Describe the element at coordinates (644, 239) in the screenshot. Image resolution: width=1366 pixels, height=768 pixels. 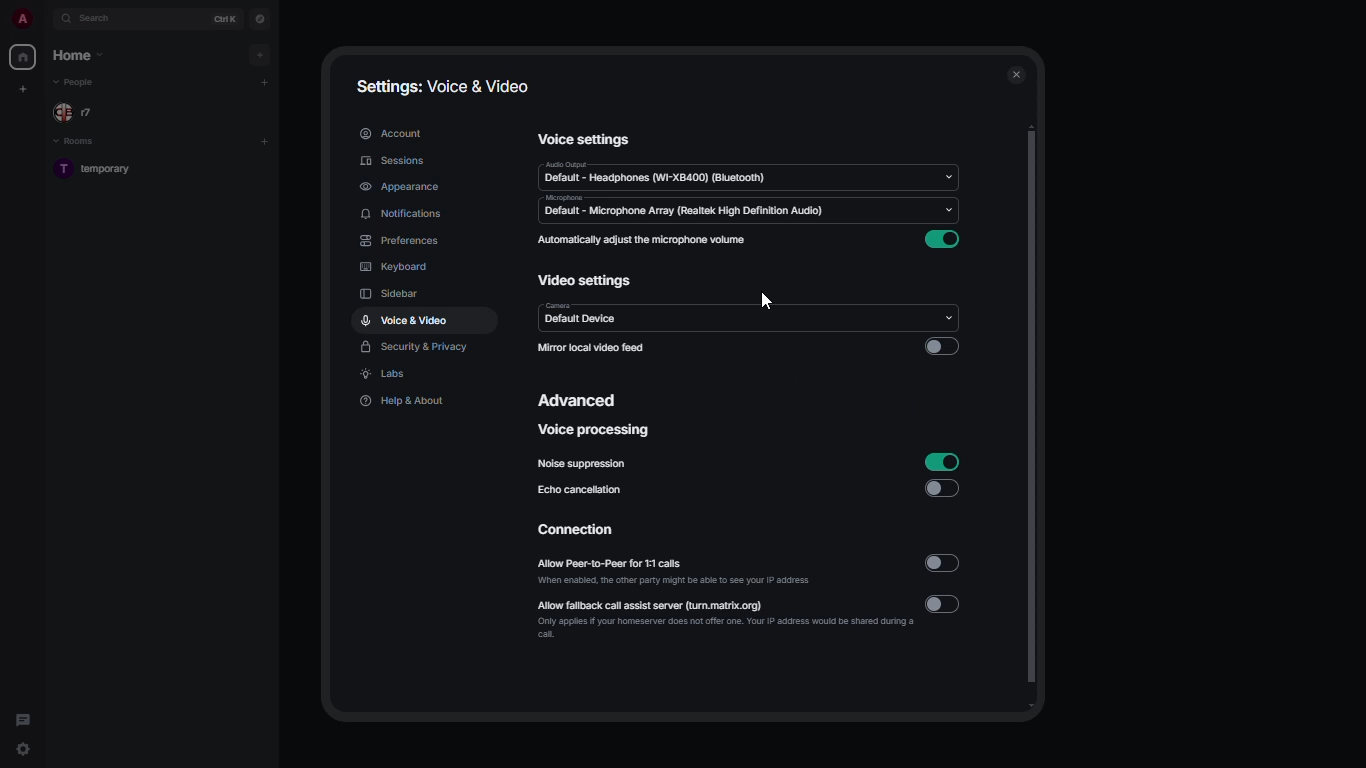
I see `automatically adjust the microphone volume` at that location.